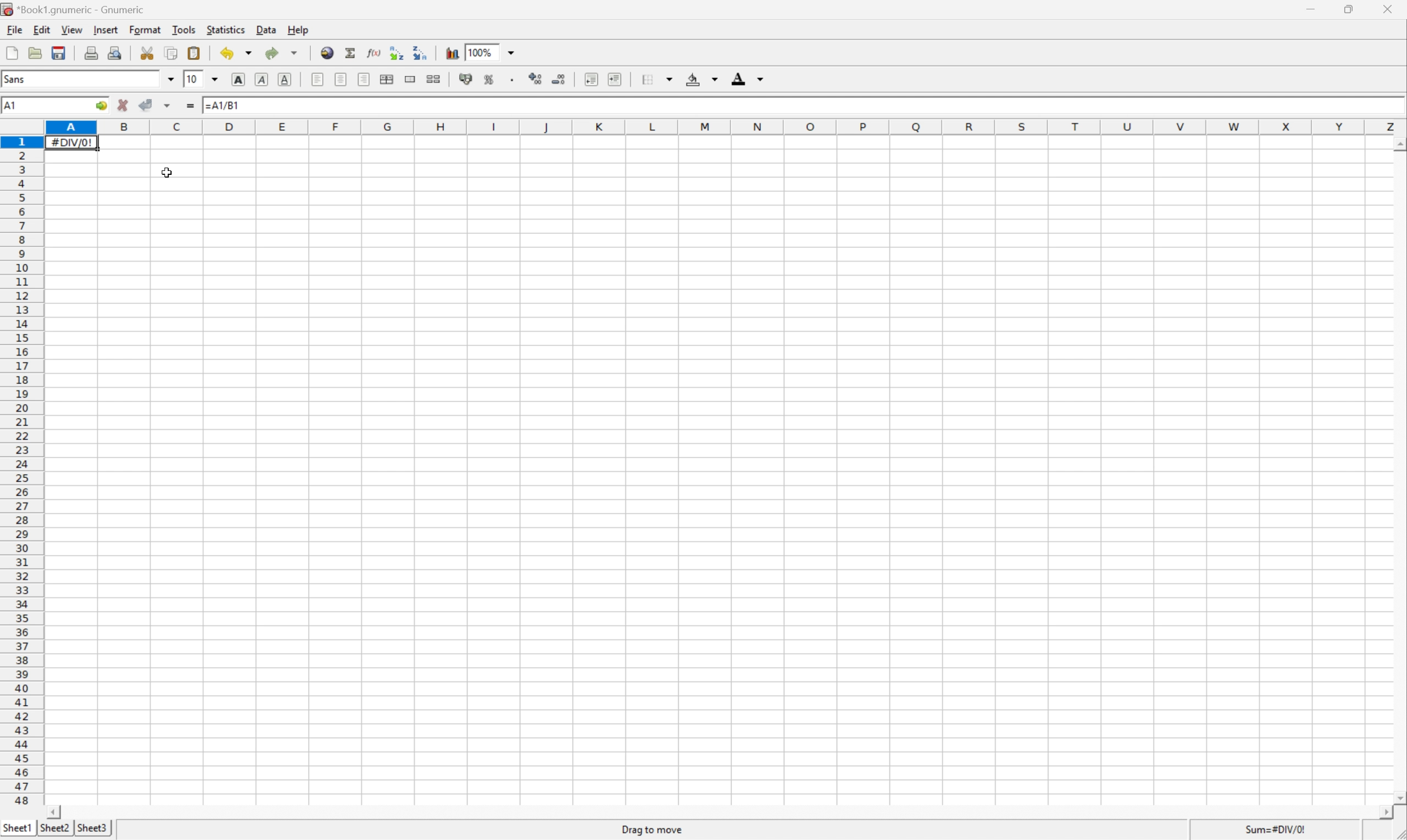 The image size is (1407, 840). Describe the element at coordinates (173, 53) in the screenshot. I see `Copy the selection` at that location.